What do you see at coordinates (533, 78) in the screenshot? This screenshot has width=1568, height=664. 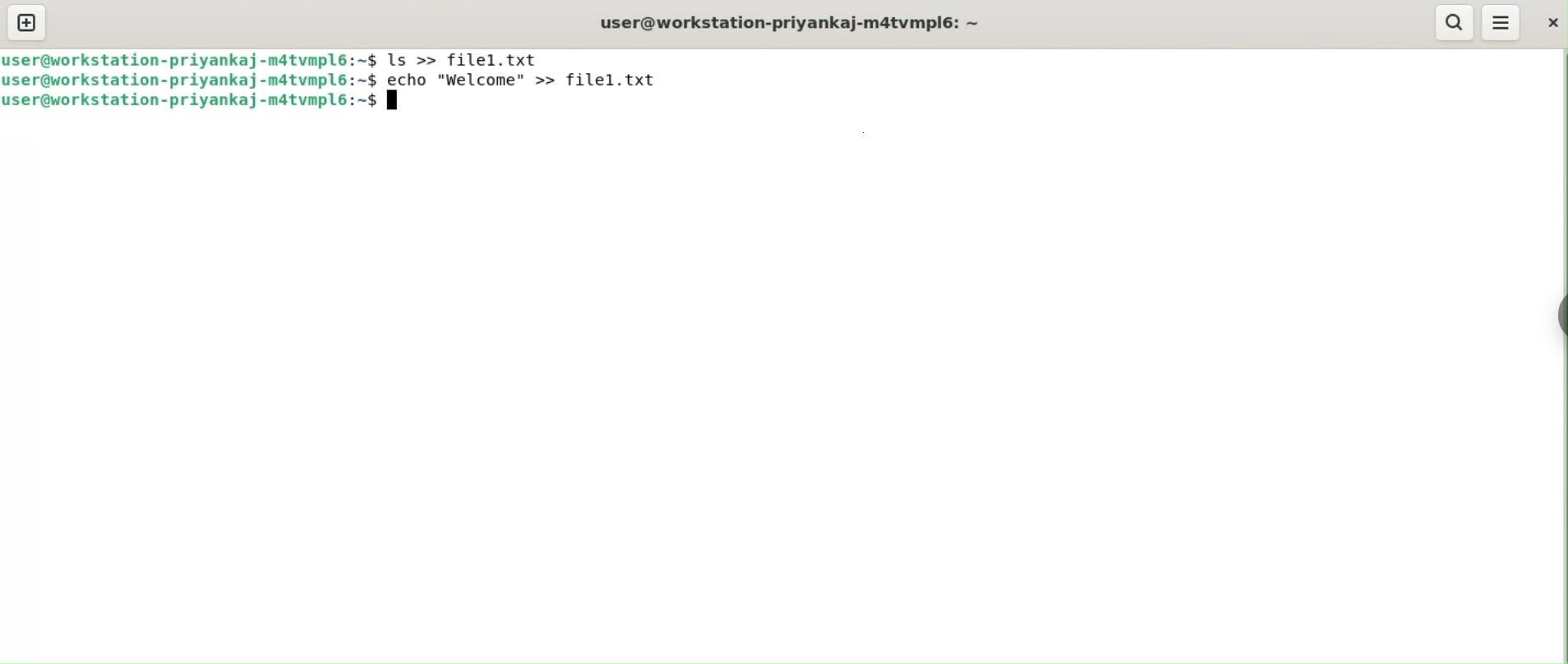 I see `echo  "Welcome"  >>  file.txt` at bounding box center [533, 78].